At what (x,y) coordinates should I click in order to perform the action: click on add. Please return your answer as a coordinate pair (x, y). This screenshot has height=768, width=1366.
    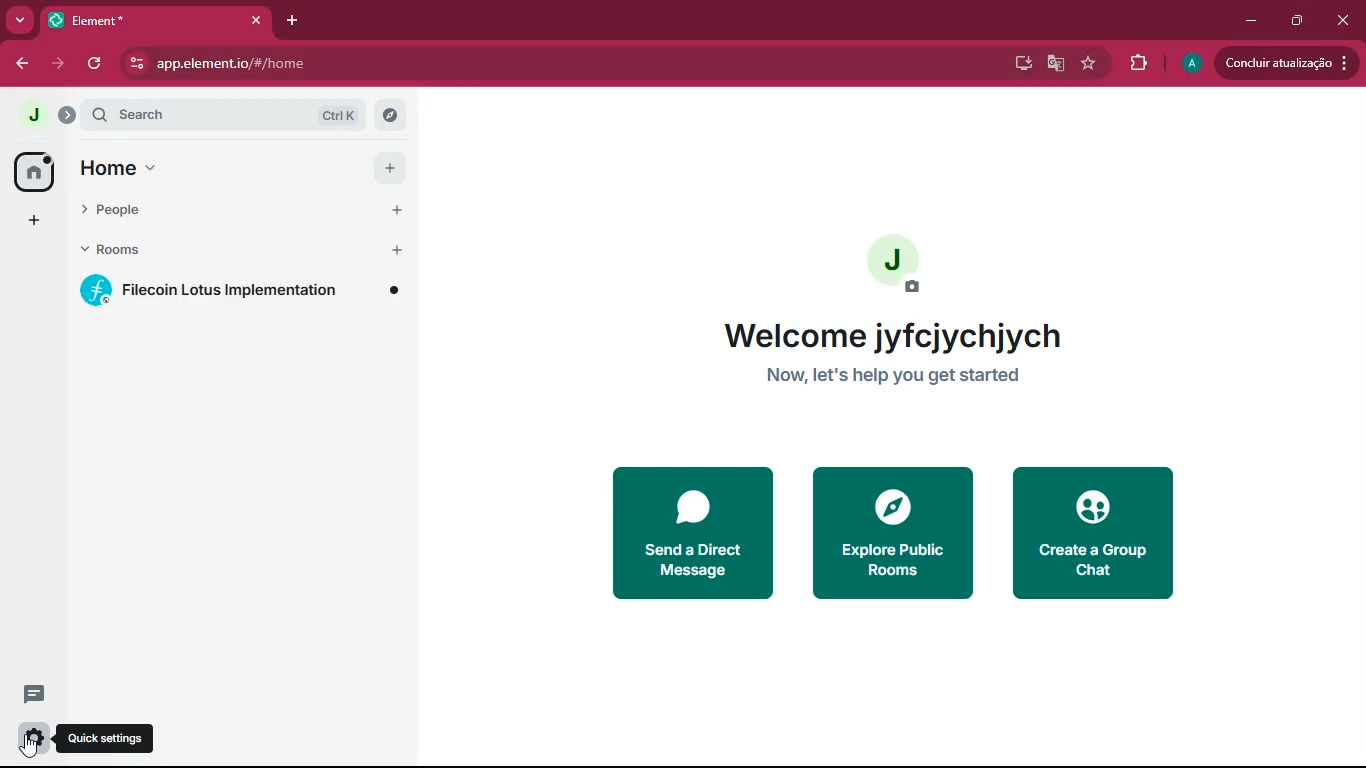
    Looking at the image, I should click on (31, 222).